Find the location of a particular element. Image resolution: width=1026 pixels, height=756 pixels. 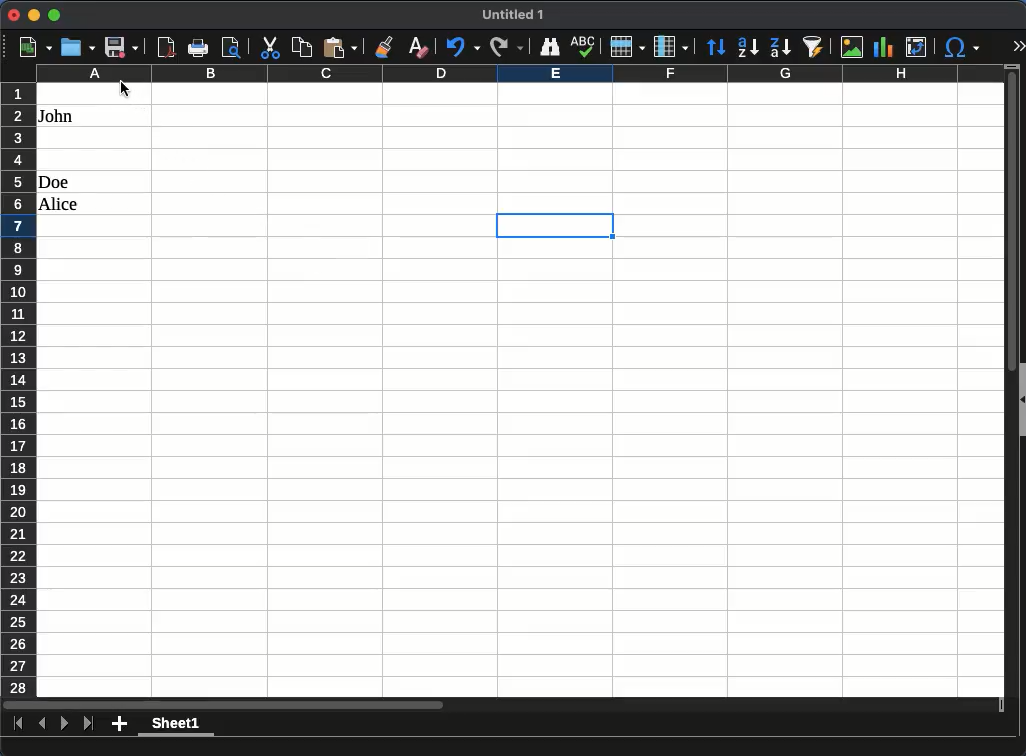

column is located at coordinates (671, 45).